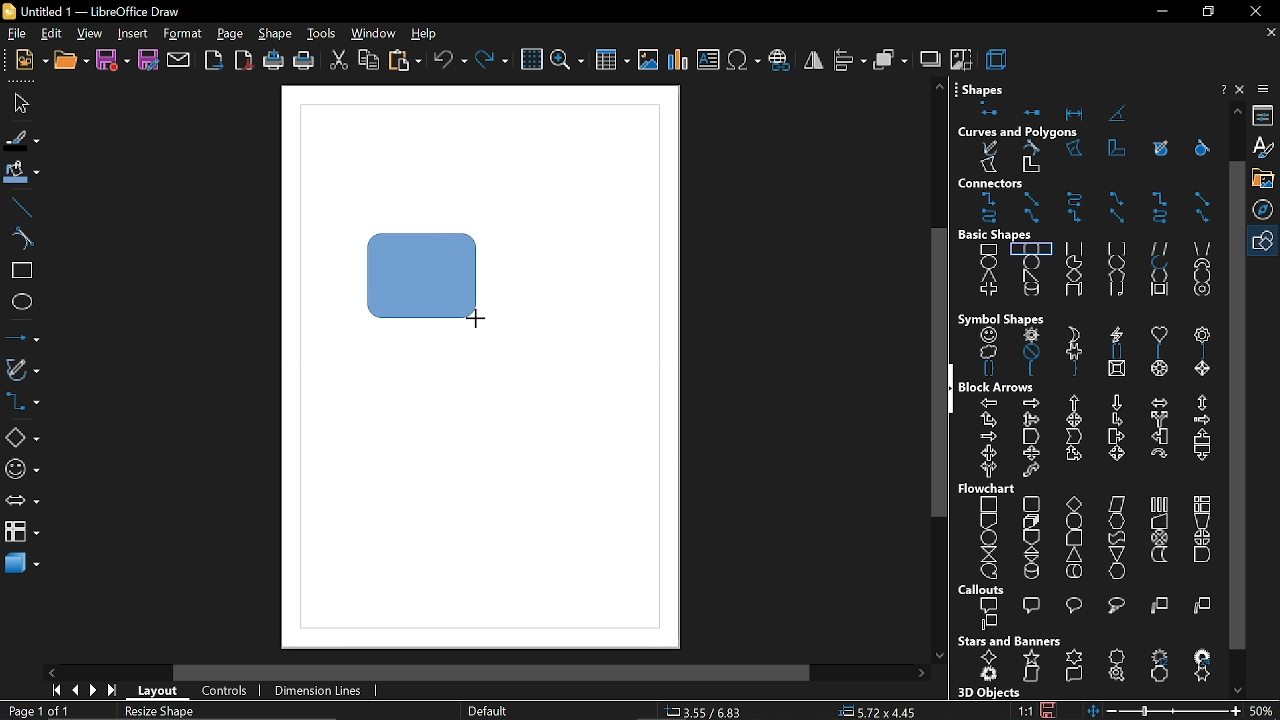  I want to click on rectangle, so click(22, 272).